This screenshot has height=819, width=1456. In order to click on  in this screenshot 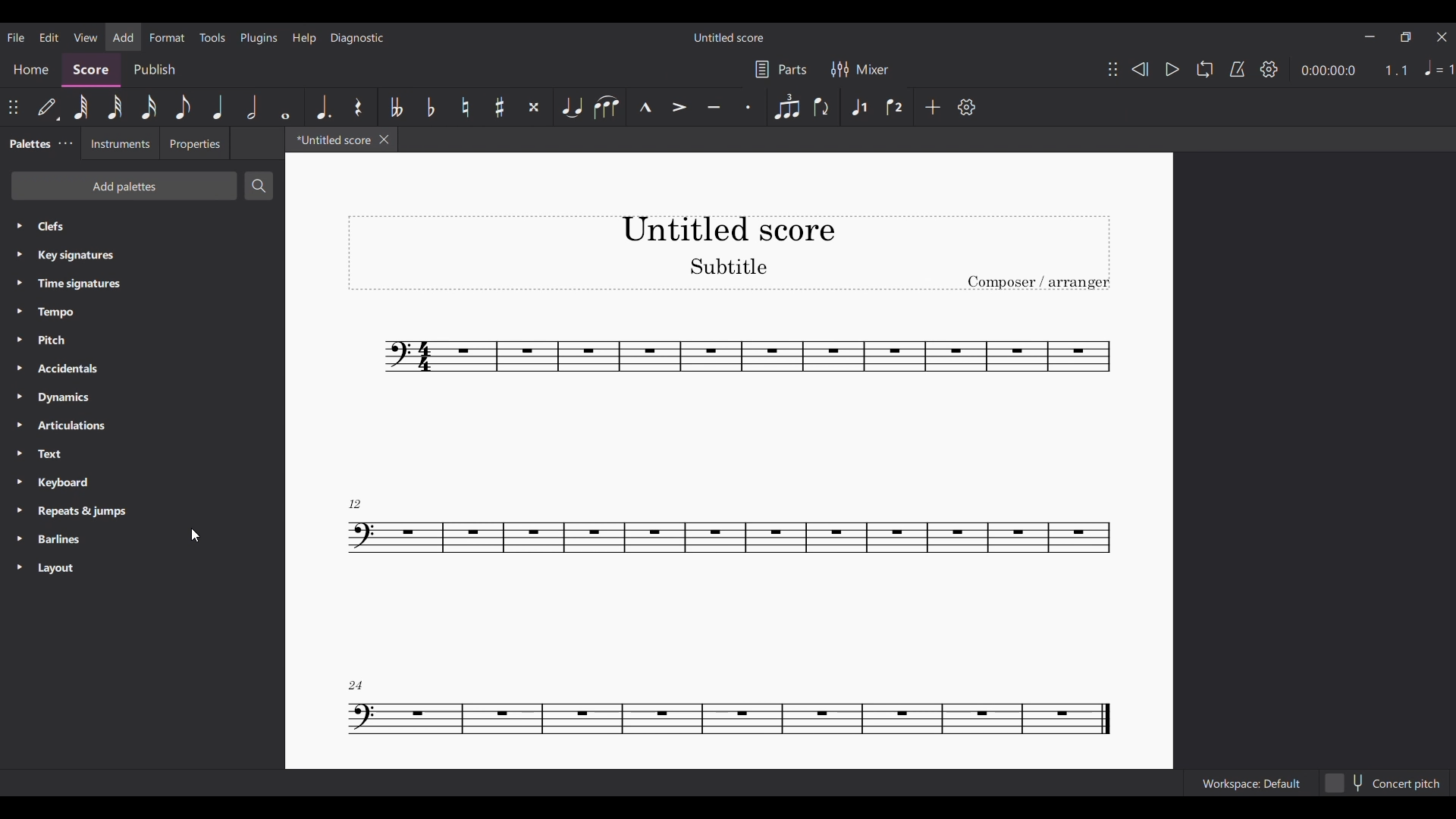, I will do `click(1278, 69)`.